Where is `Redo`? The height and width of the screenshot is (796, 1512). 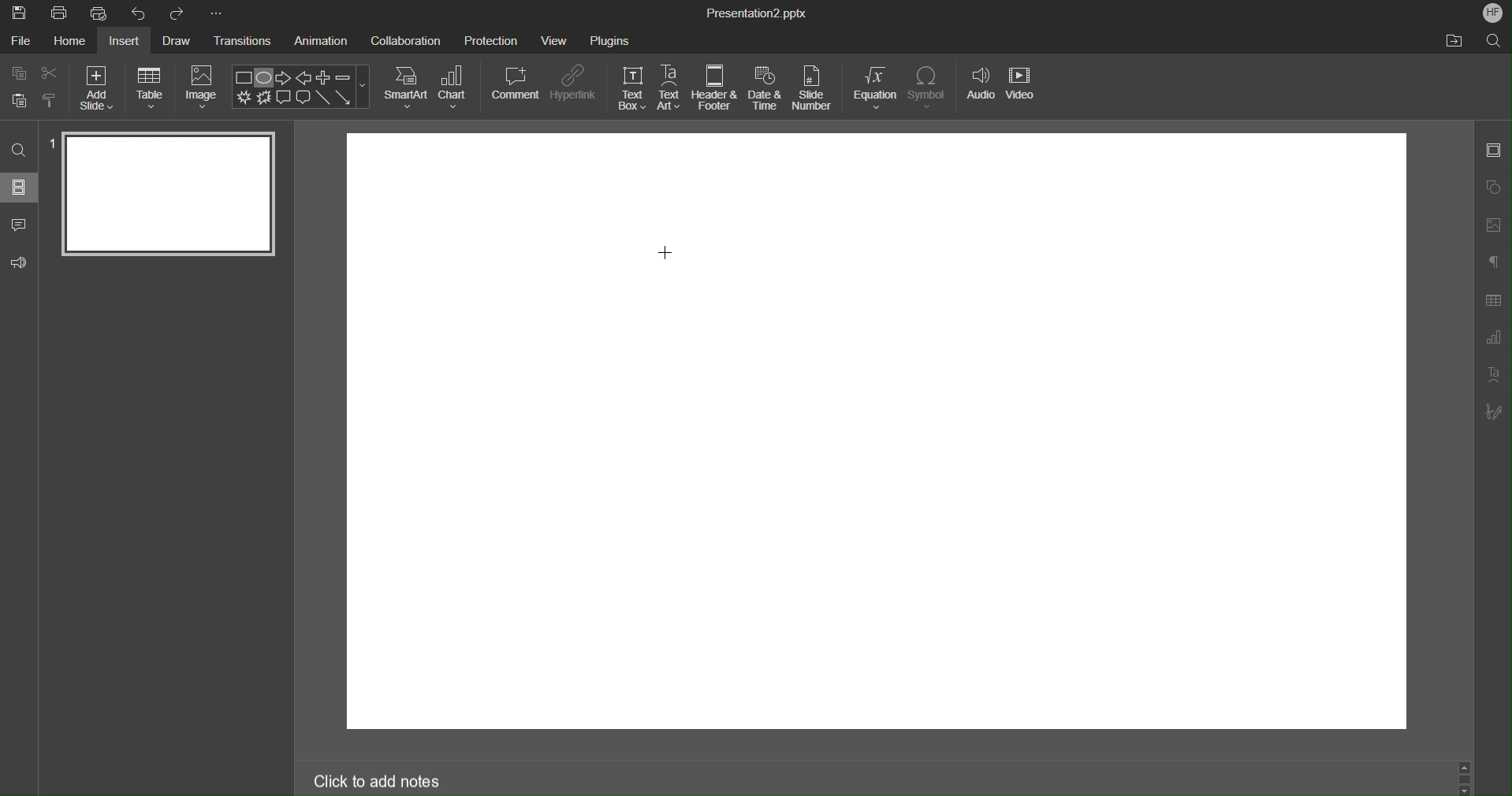
Redo is located at coordinates (178, 13).